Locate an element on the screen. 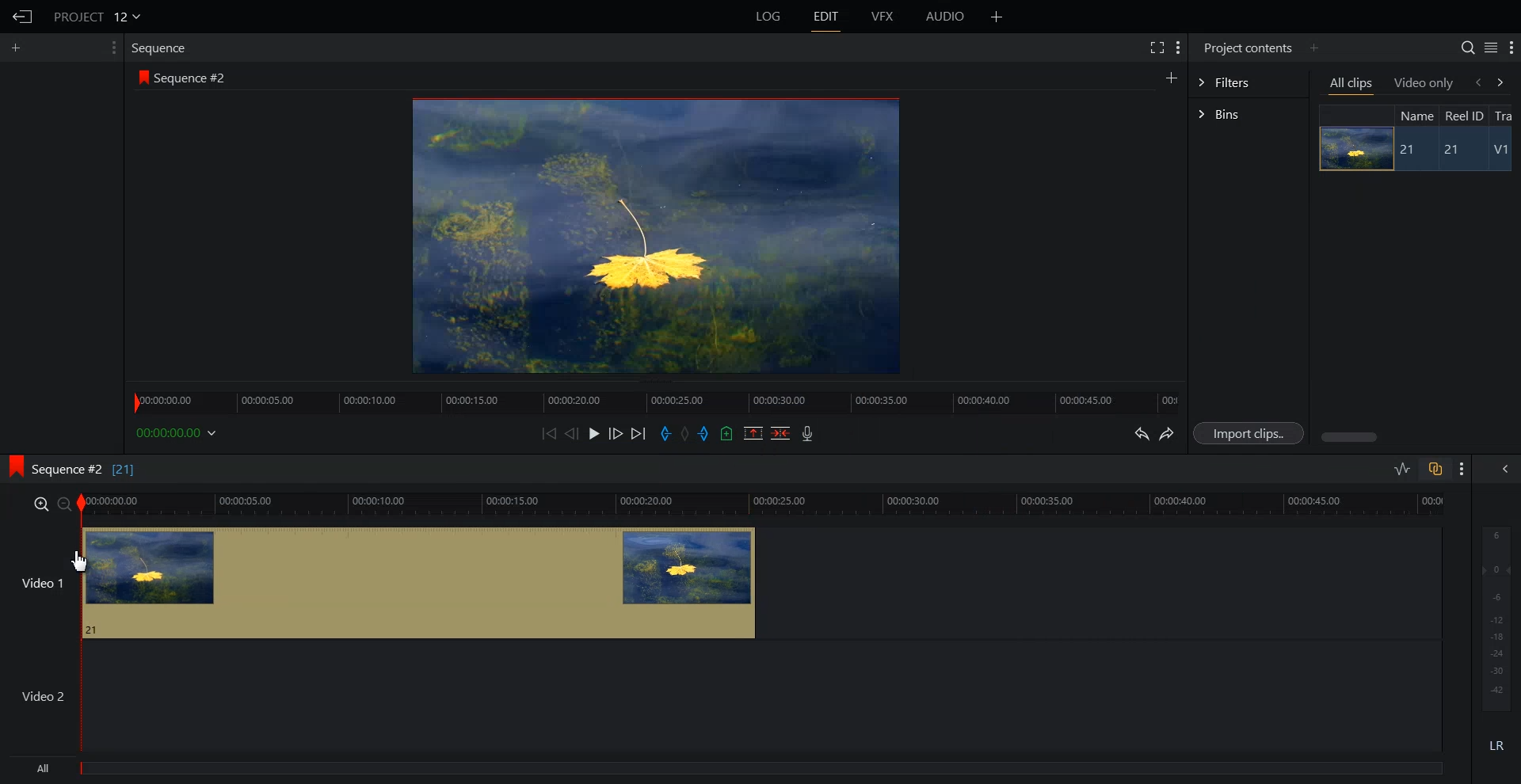  Full screen is located at coordinates (1156, 46).